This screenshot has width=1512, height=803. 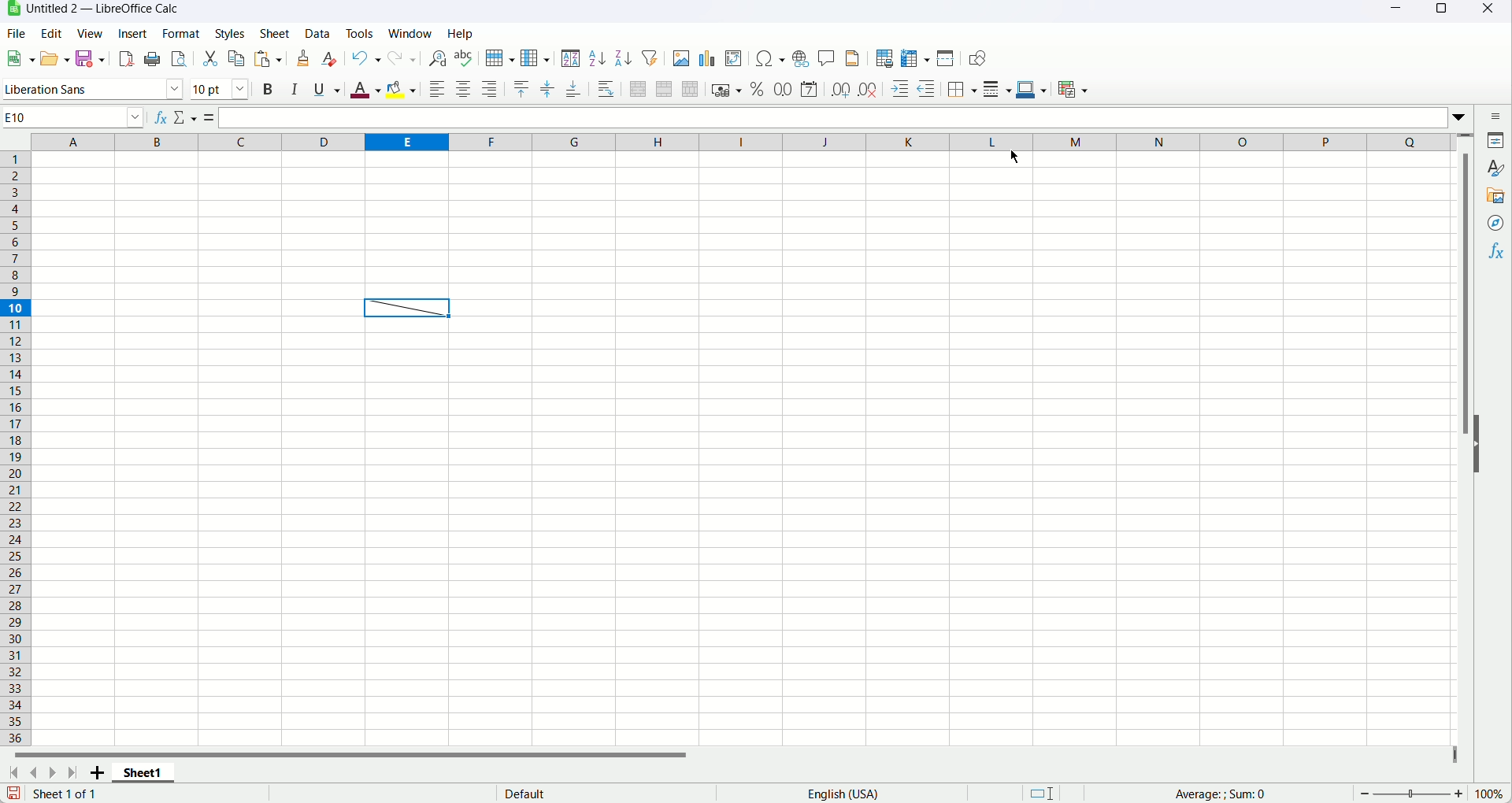 I want to click on Autofilter, so click(x=648, y=57).